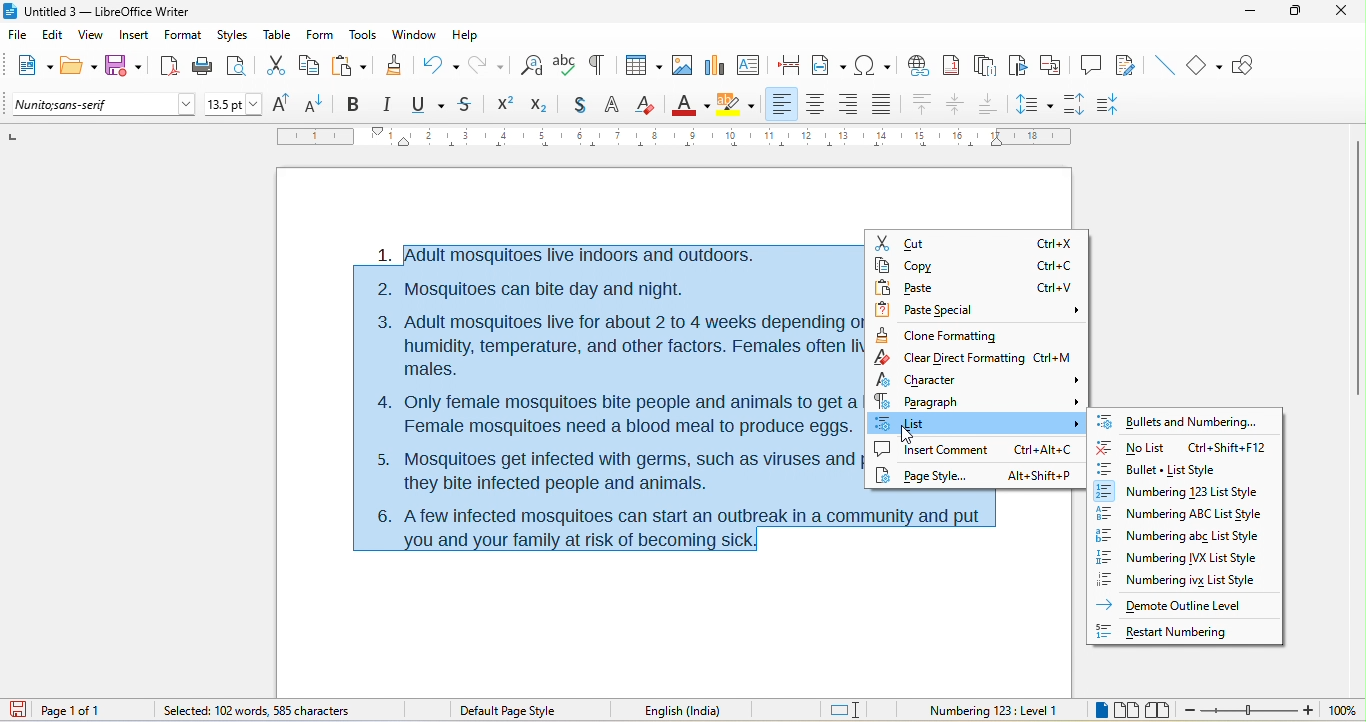 The width and height of the screenshot is (1366, 722). I want to click on cross reference, so click(1055, 65).